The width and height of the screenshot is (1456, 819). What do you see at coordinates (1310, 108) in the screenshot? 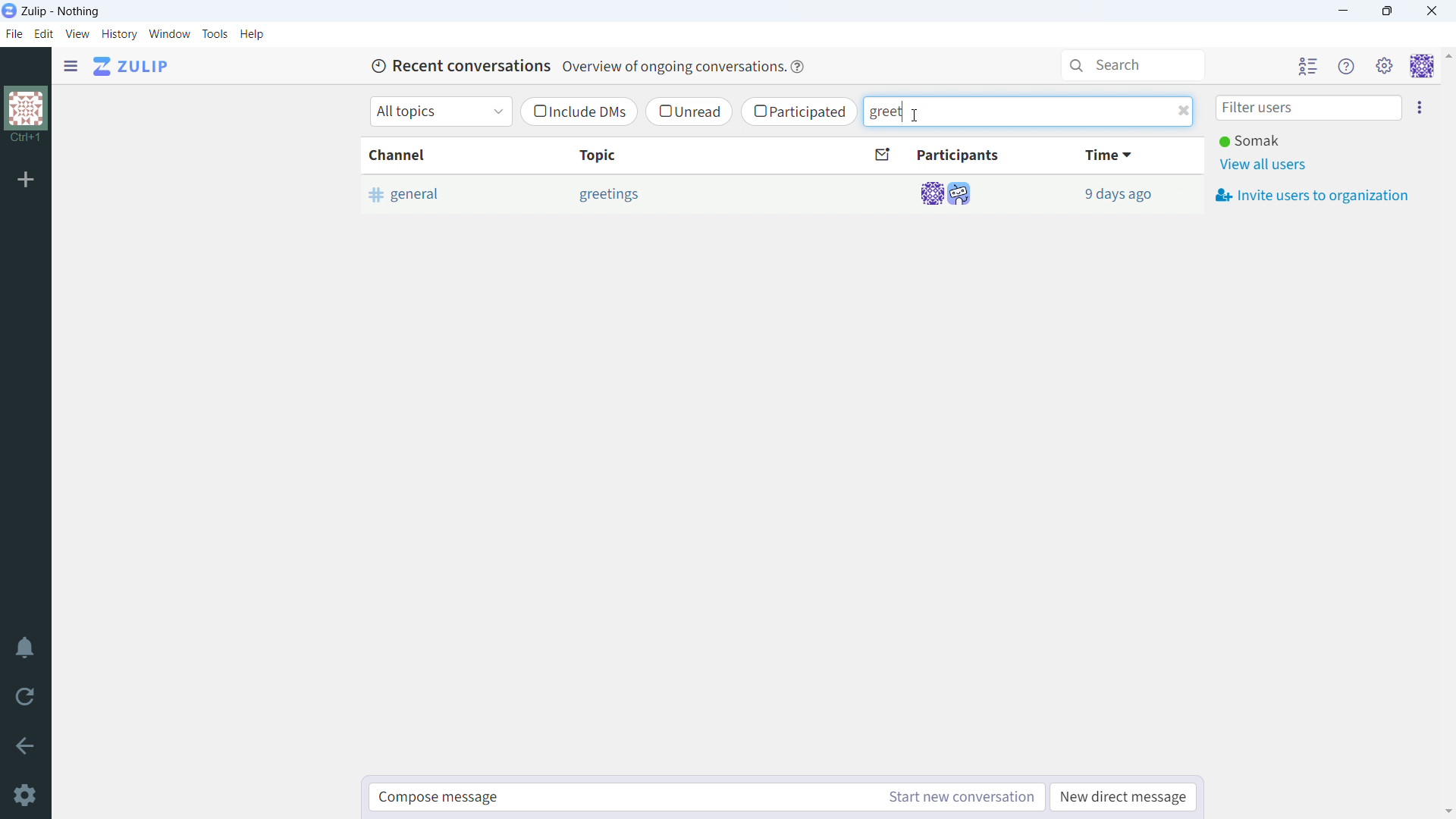
I see `filter users` at bounding box center [1310, 108].